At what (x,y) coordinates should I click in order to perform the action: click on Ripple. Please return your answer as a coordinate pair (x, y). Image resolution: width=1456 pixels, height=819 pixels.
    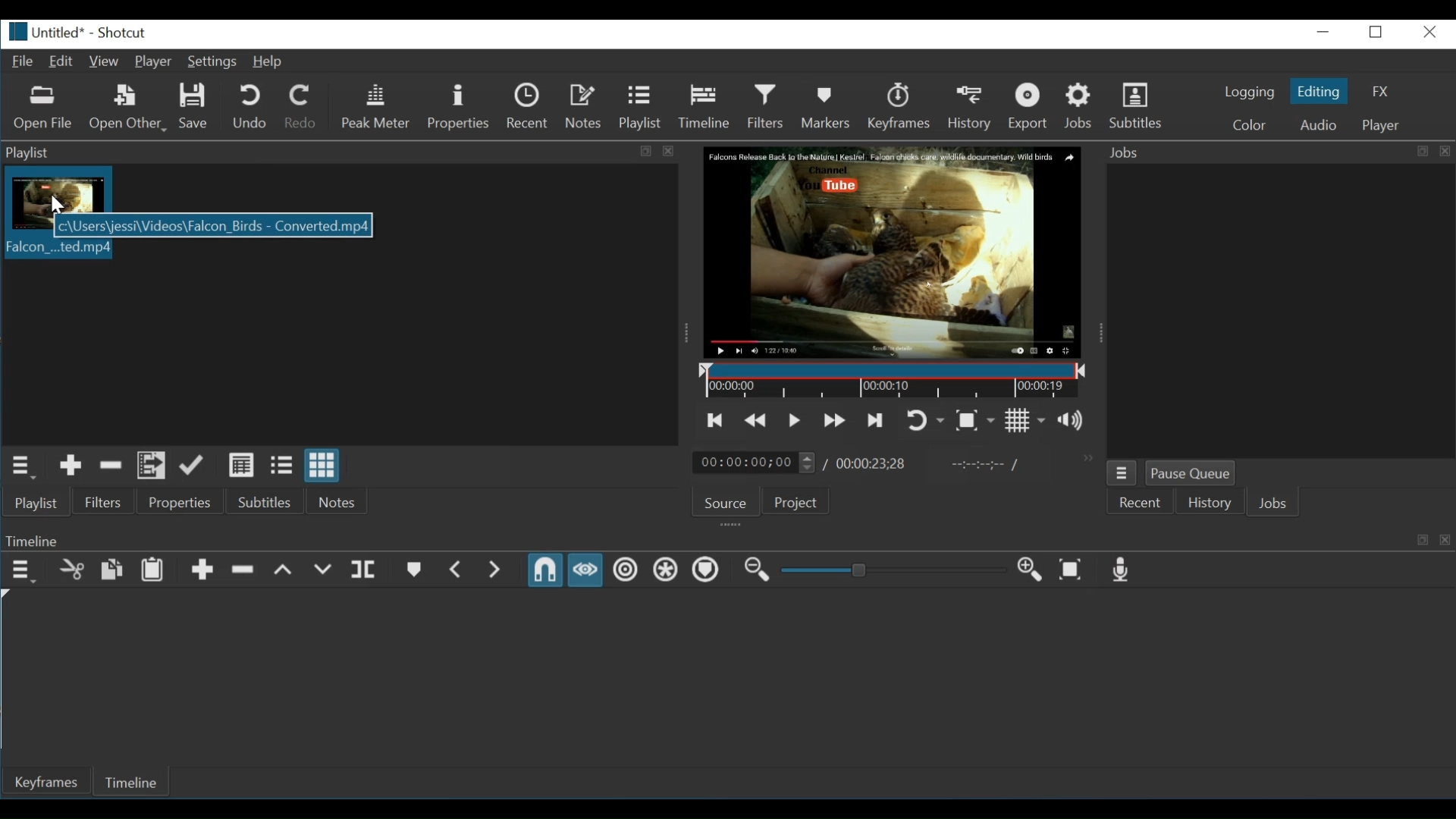
    Looking at the image, I should click on (625, 570).